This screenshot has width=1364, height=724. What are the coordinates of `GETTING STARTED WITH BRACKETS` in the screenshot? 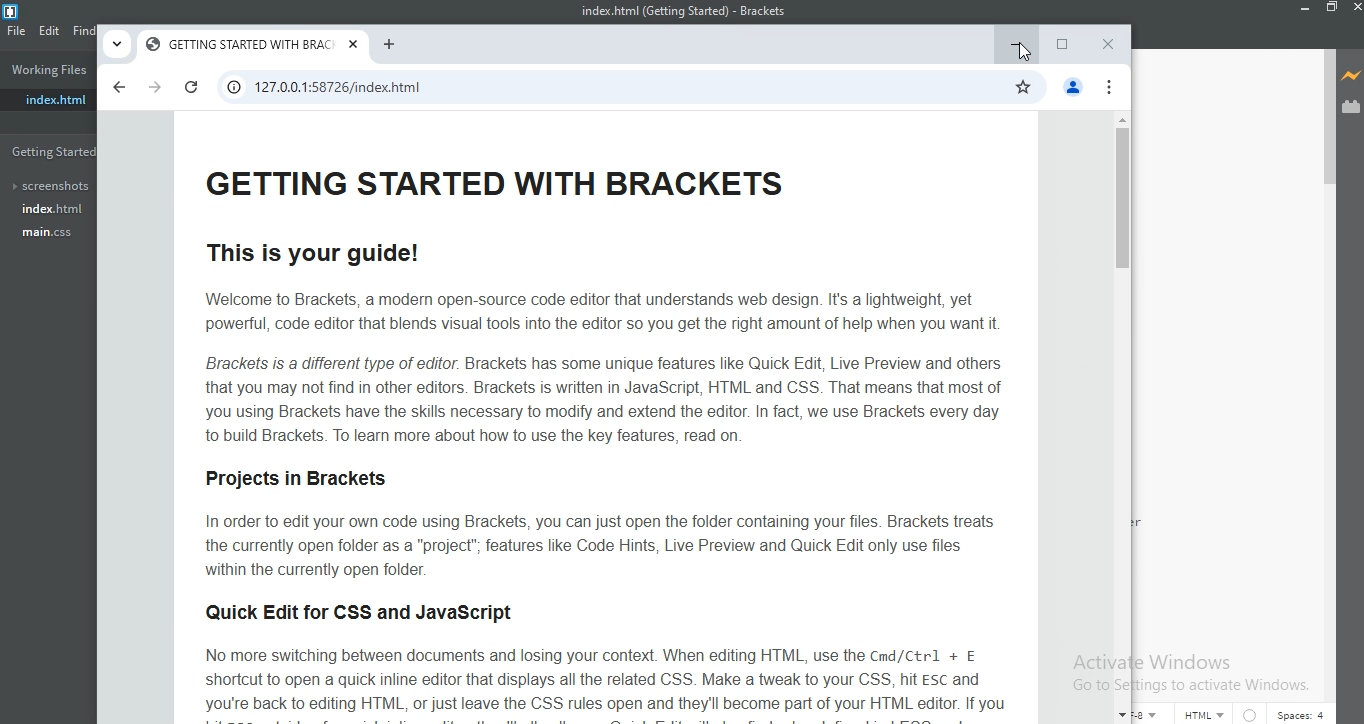 It's located at (240, 47).